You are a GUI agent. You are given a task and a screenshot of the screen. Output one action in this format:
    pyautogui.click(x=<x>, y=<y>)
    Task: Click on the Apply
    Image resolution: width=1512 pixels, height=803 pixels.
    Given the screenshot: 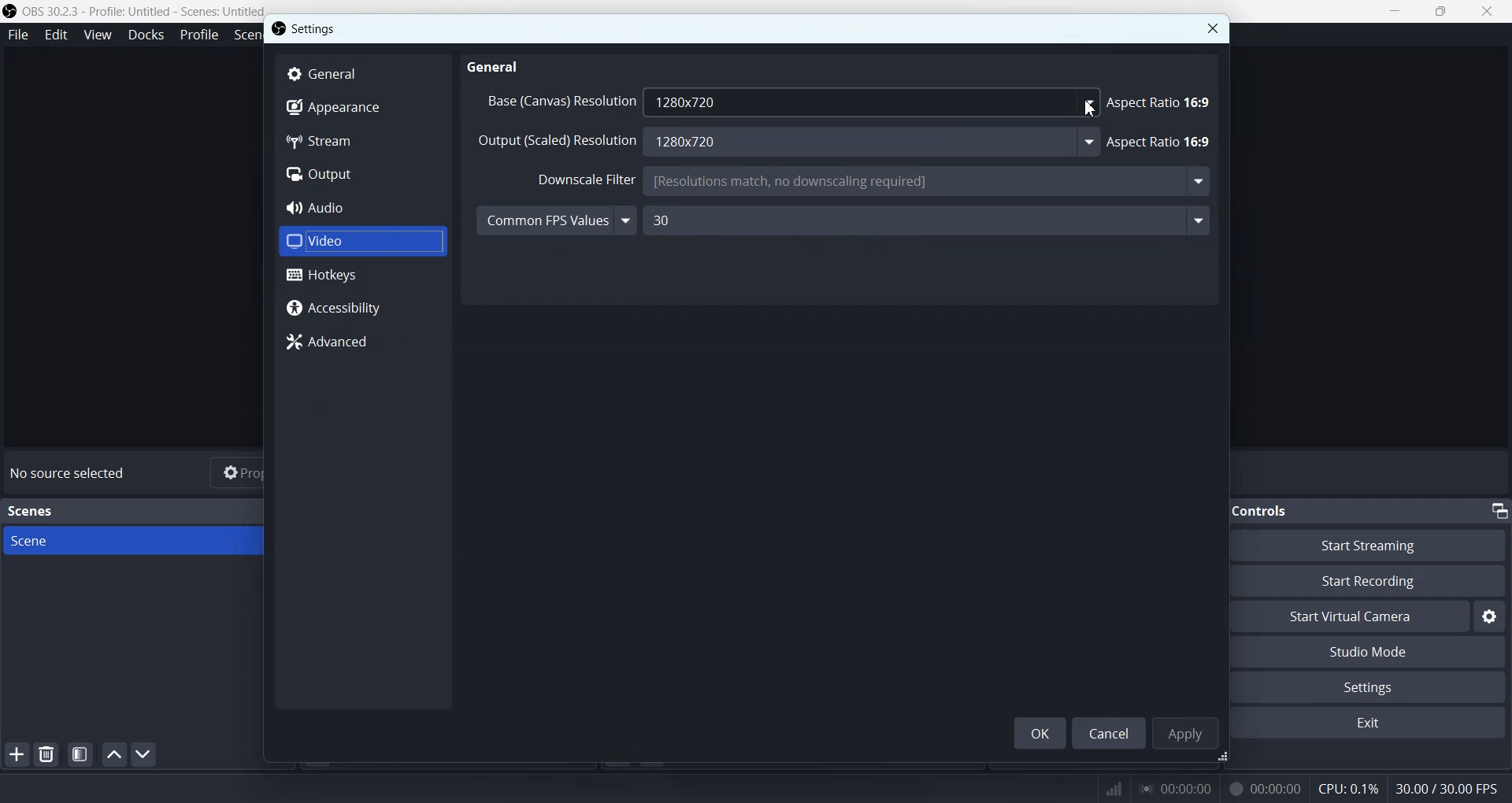 What is the action you would take?
    pyautogui.click(x=1184, y=732)
    